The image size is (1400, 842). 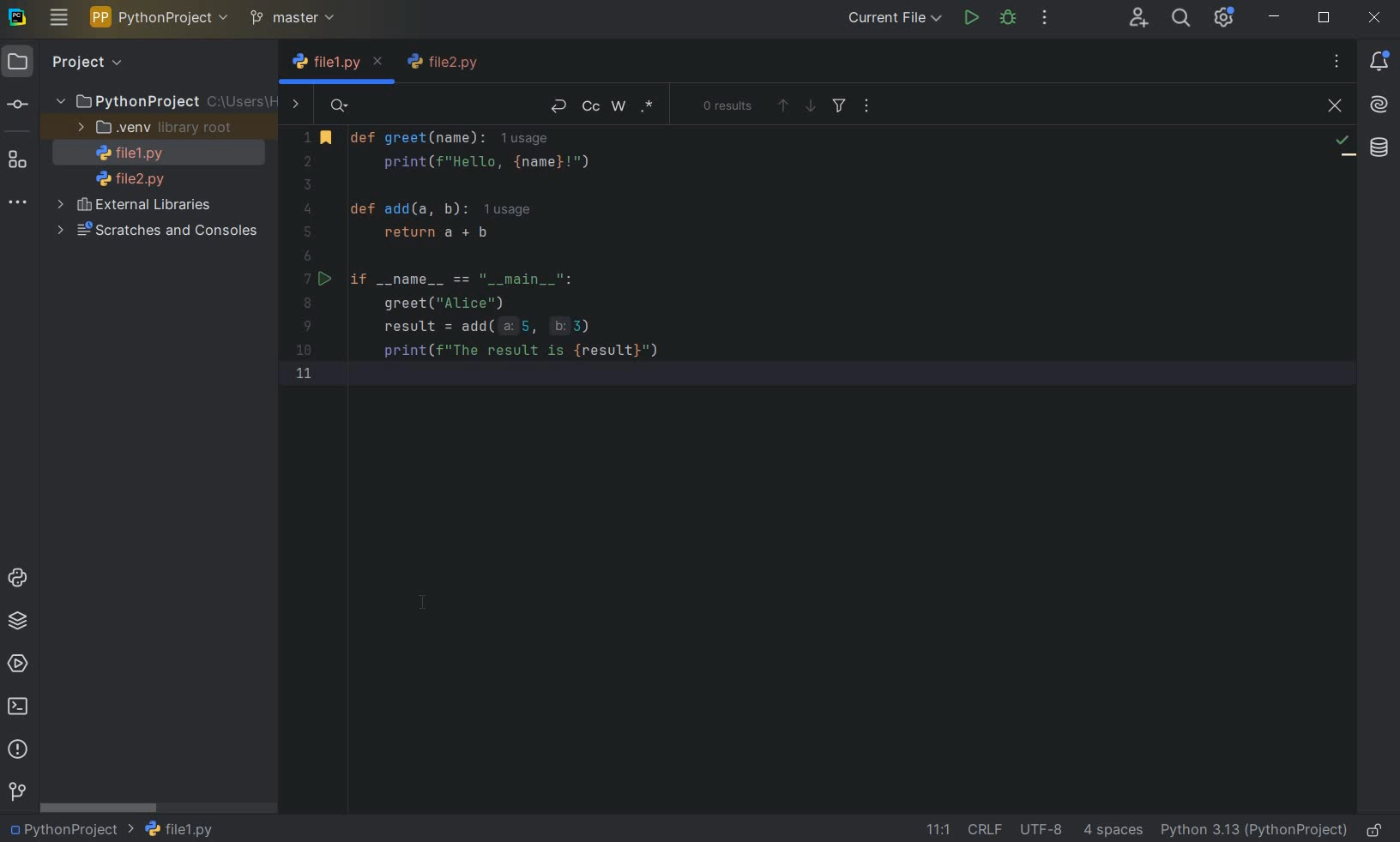 What do you see at coordinates (1112, 831) in the screenshot?
I see `INDENT` at bounding box center [1112, 831].